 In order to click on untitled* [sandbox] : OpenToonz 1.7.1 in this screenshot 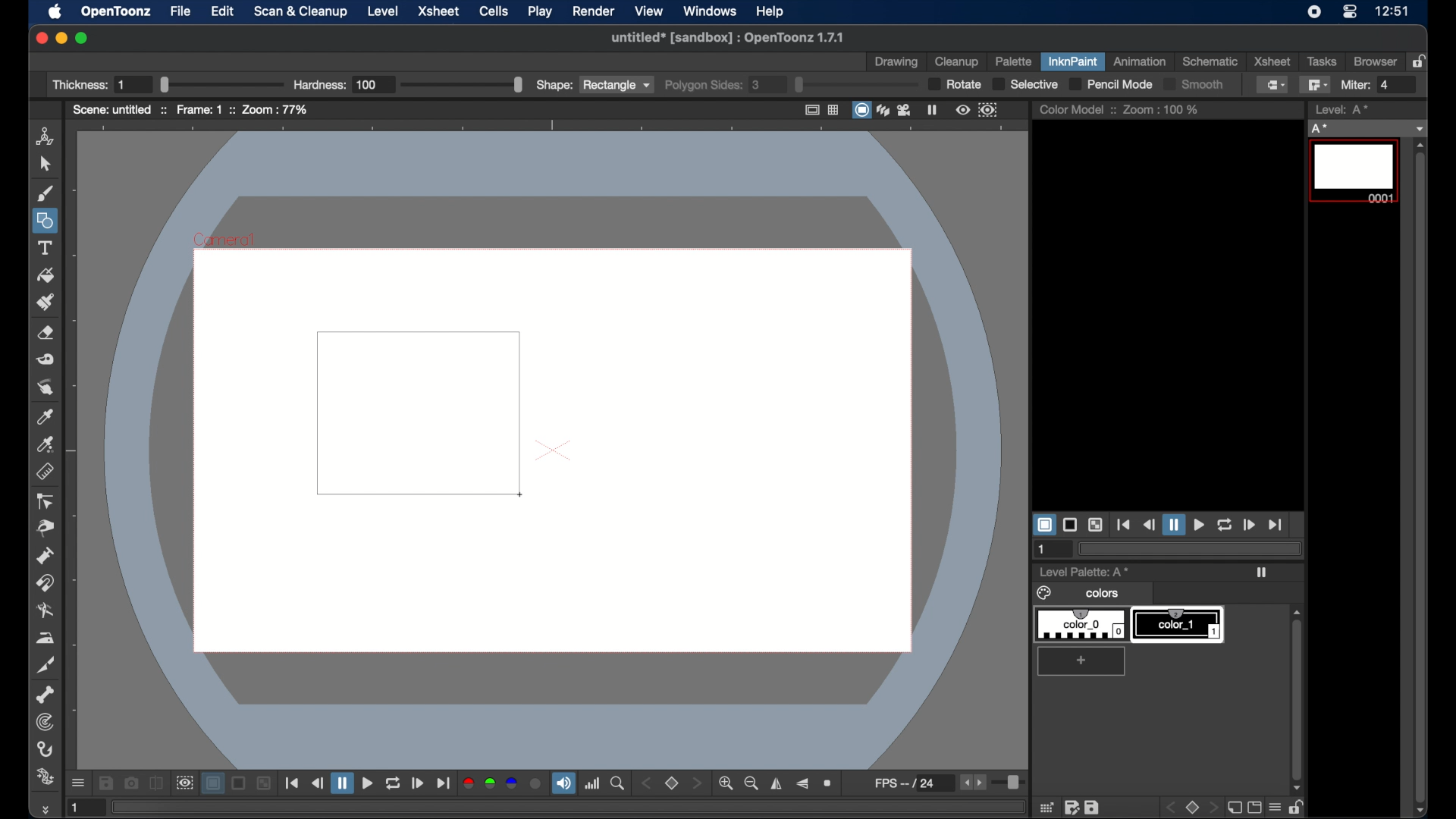, I will do `click(725, 36)`.